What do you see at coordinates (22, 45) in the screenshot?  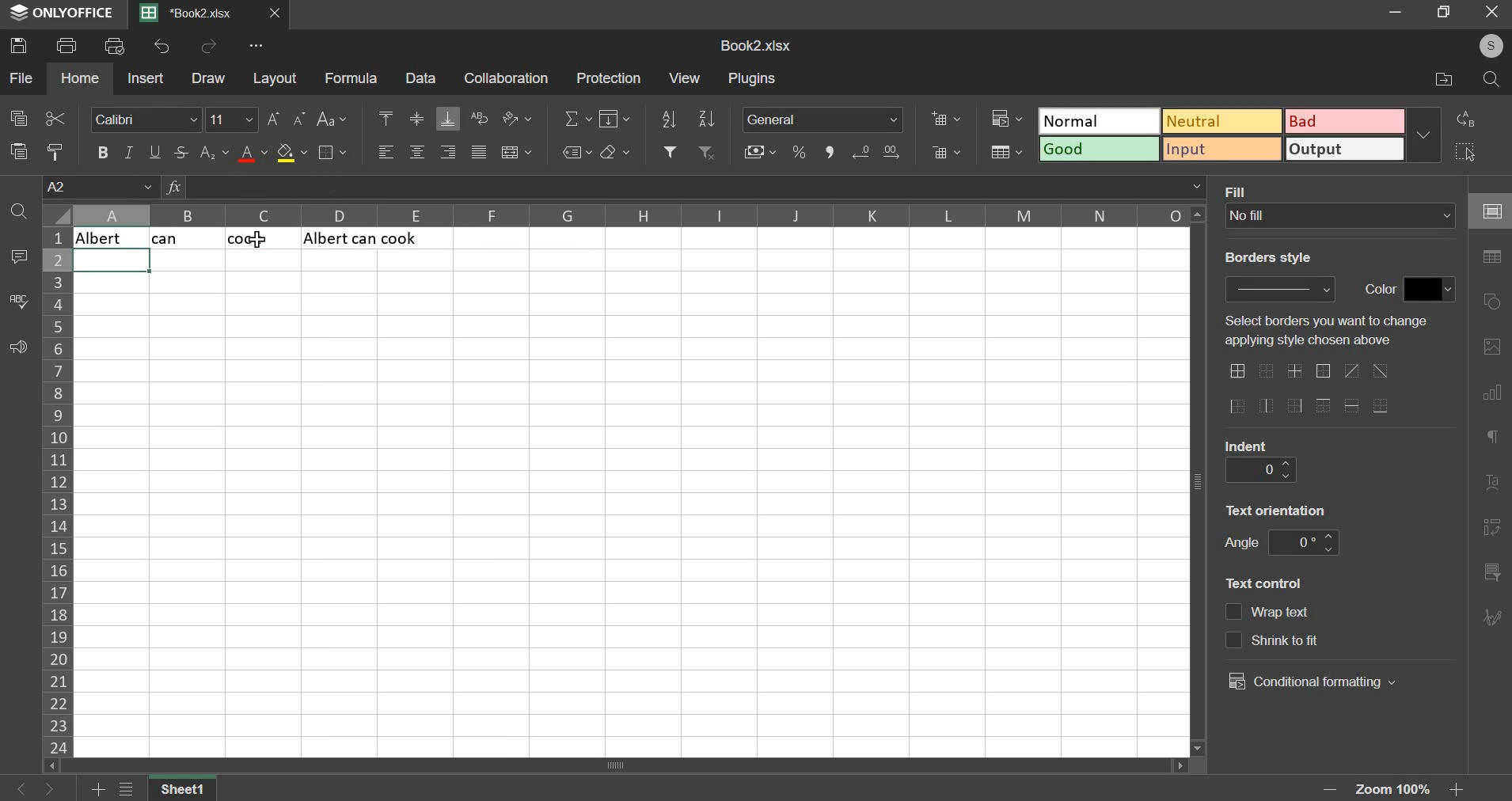 I see `save` at bounding box center [22, 45].